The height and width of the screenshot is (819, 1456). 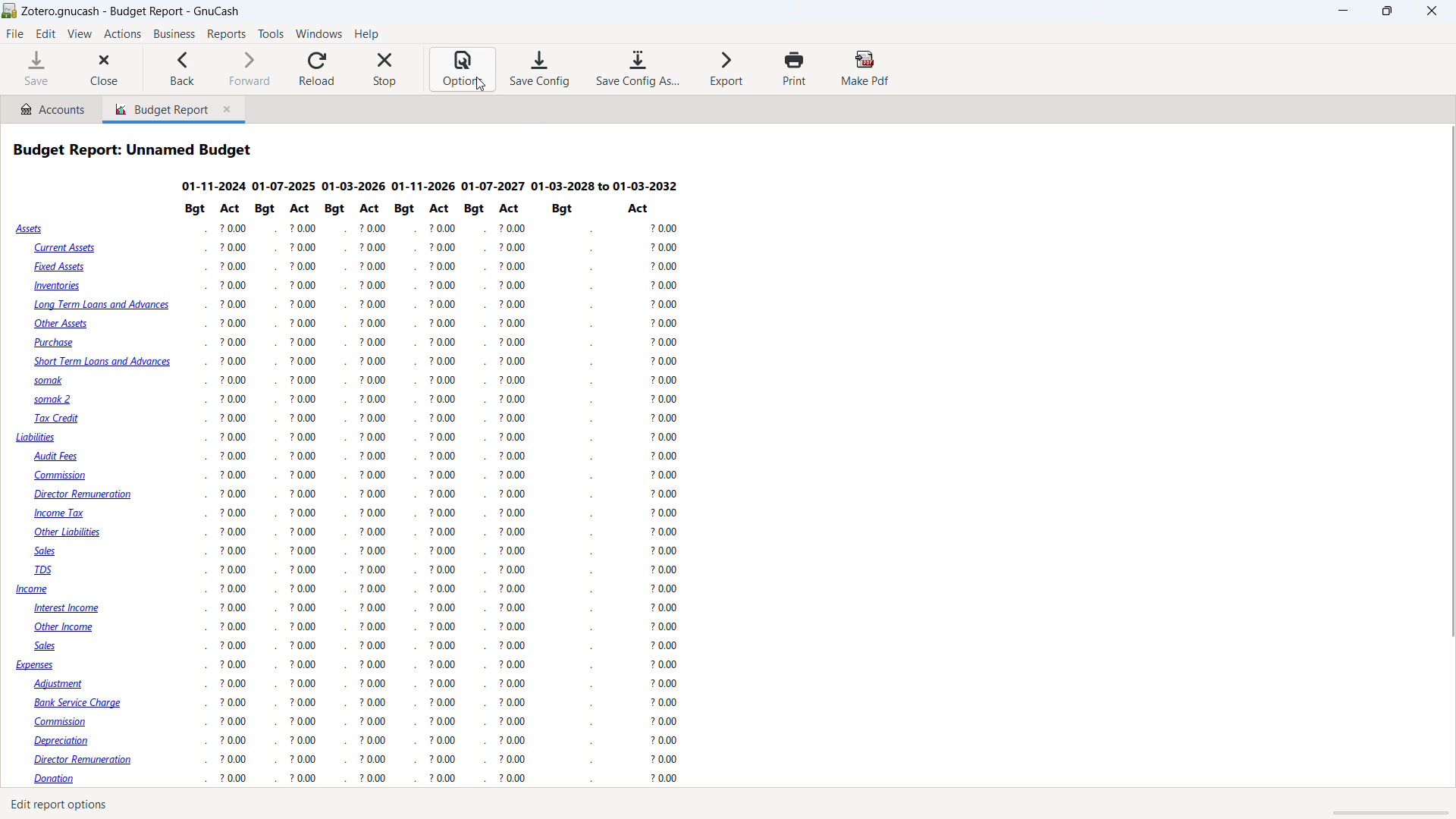 What do you see at coordinates (52, 108) in the screenshot?
I see `accounts tab` at bounding box center [52, 108].